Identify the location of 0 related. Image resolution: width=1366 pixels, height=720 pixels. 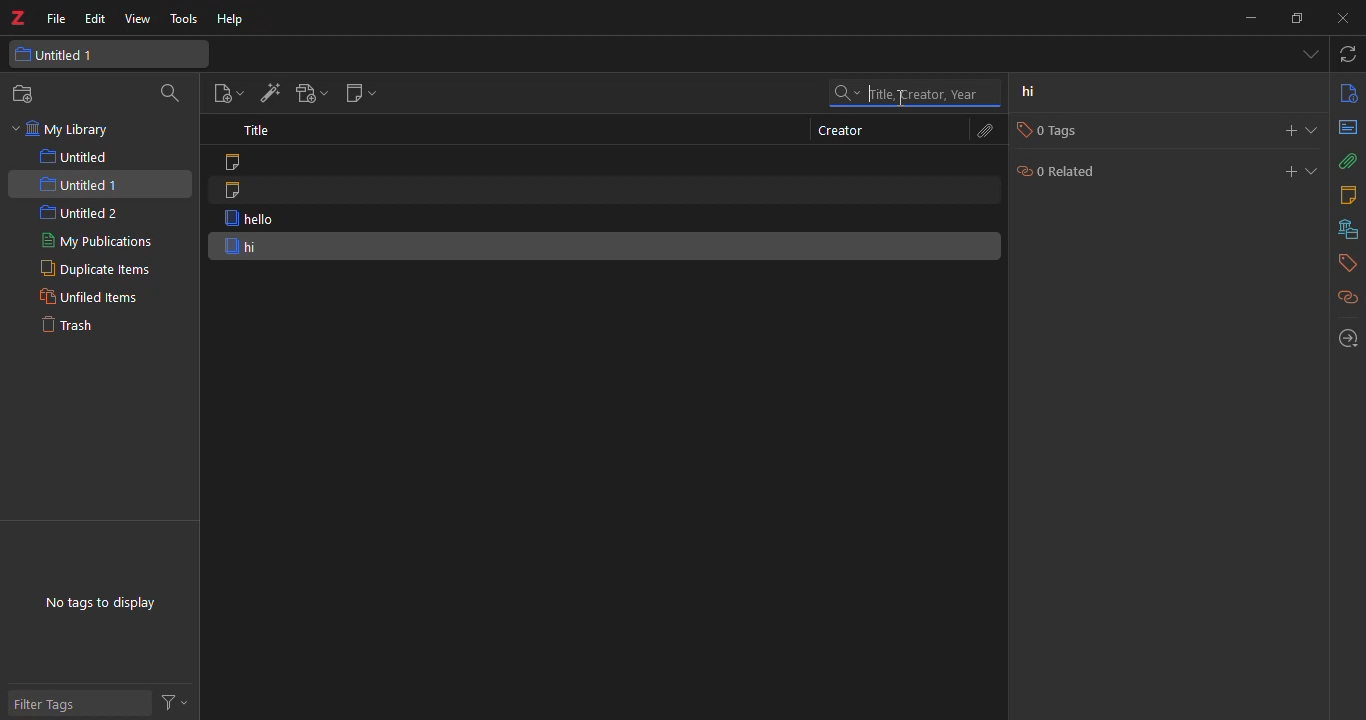
(1068, 173).